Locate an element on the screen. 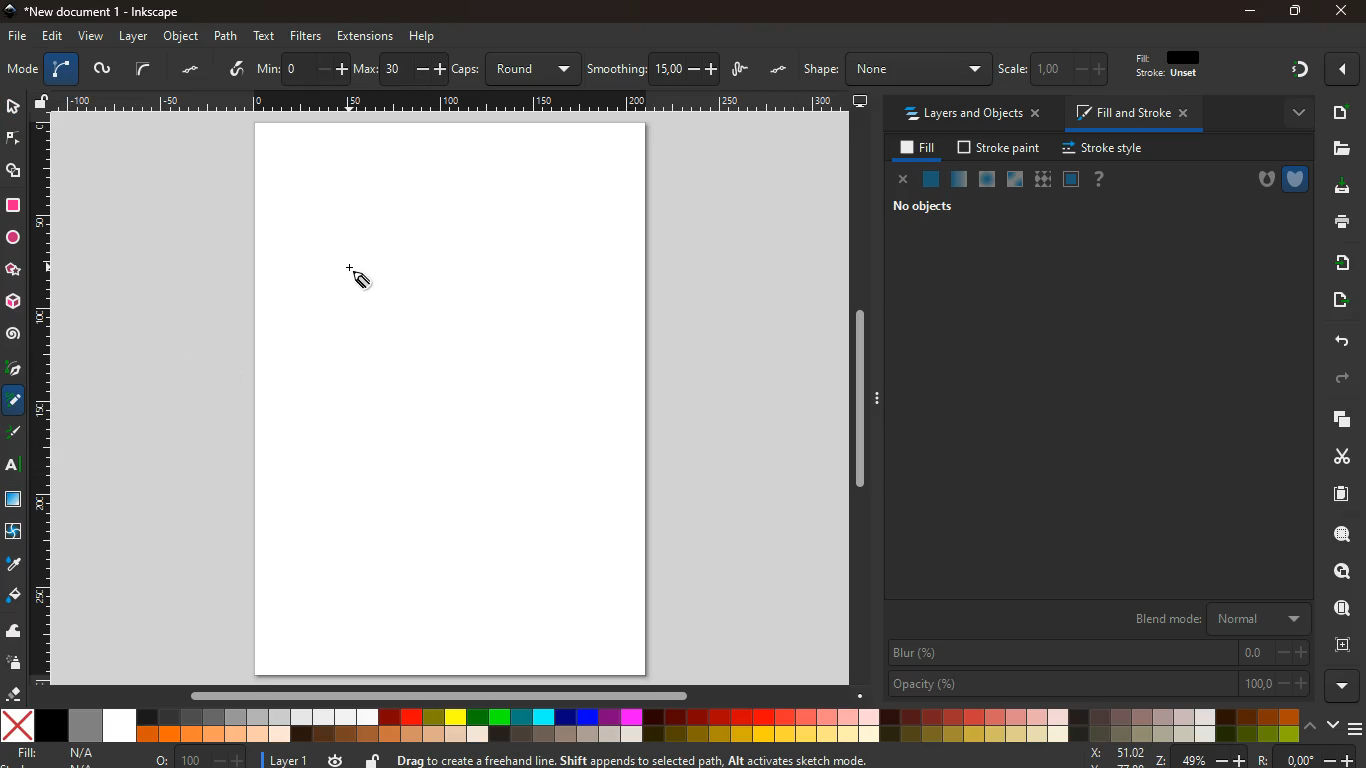 This screenshot has height=768, width=1366. edit is located at coordinates (1163, 69).